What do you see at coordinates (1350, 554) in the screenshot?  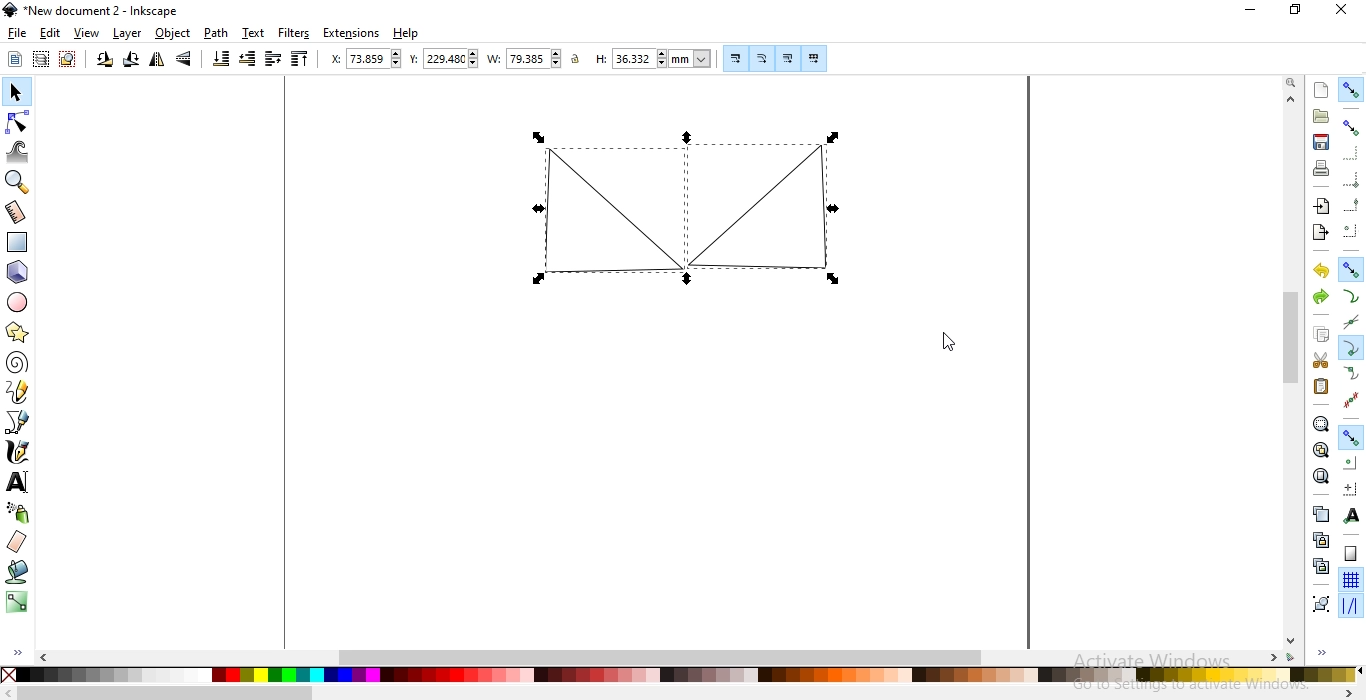 I see `snap to page border` at bounding box center [1350, 554].